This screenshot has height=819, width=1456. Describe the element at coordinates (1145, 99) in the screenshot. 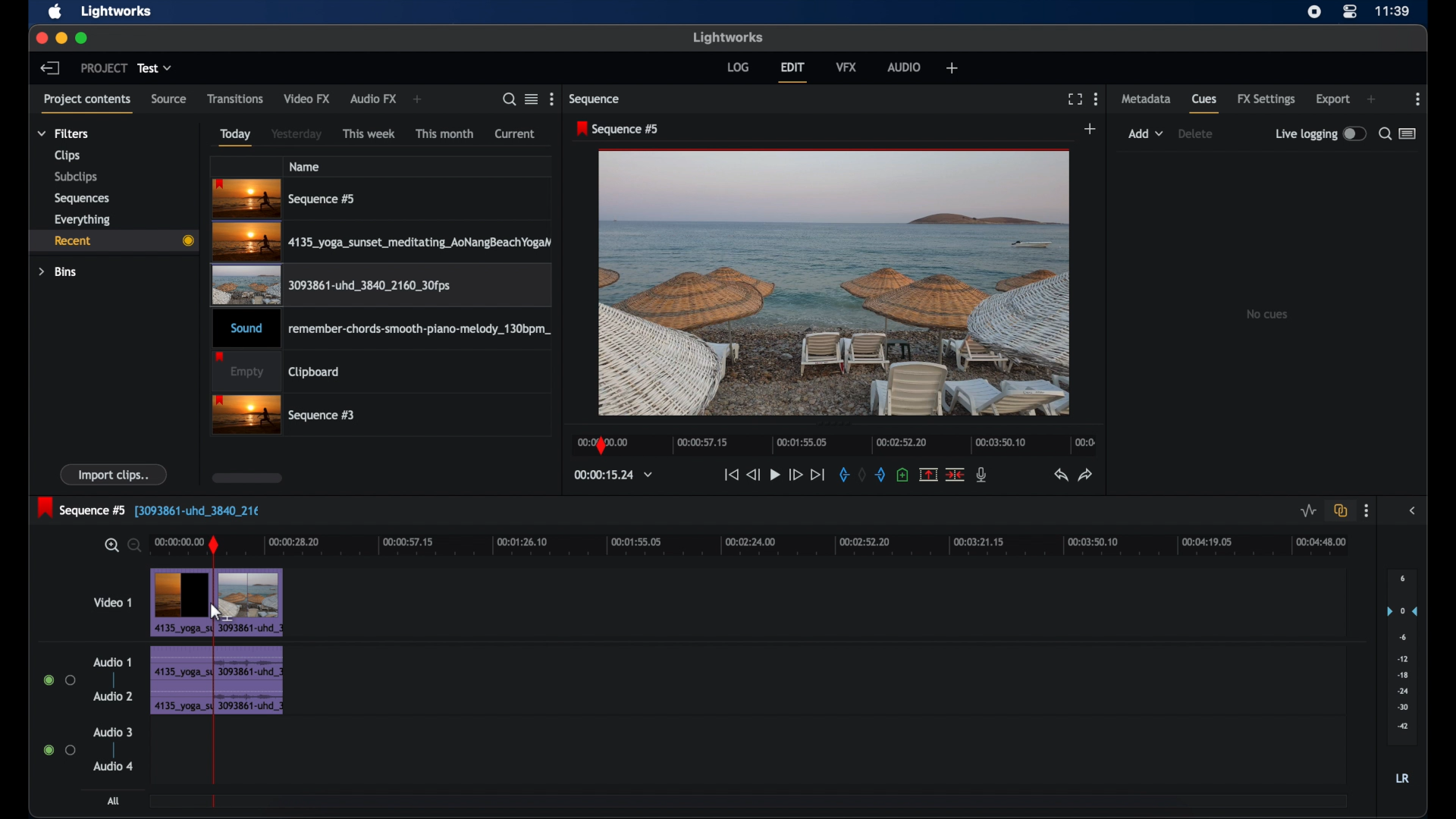

I see `metadata` at that location.